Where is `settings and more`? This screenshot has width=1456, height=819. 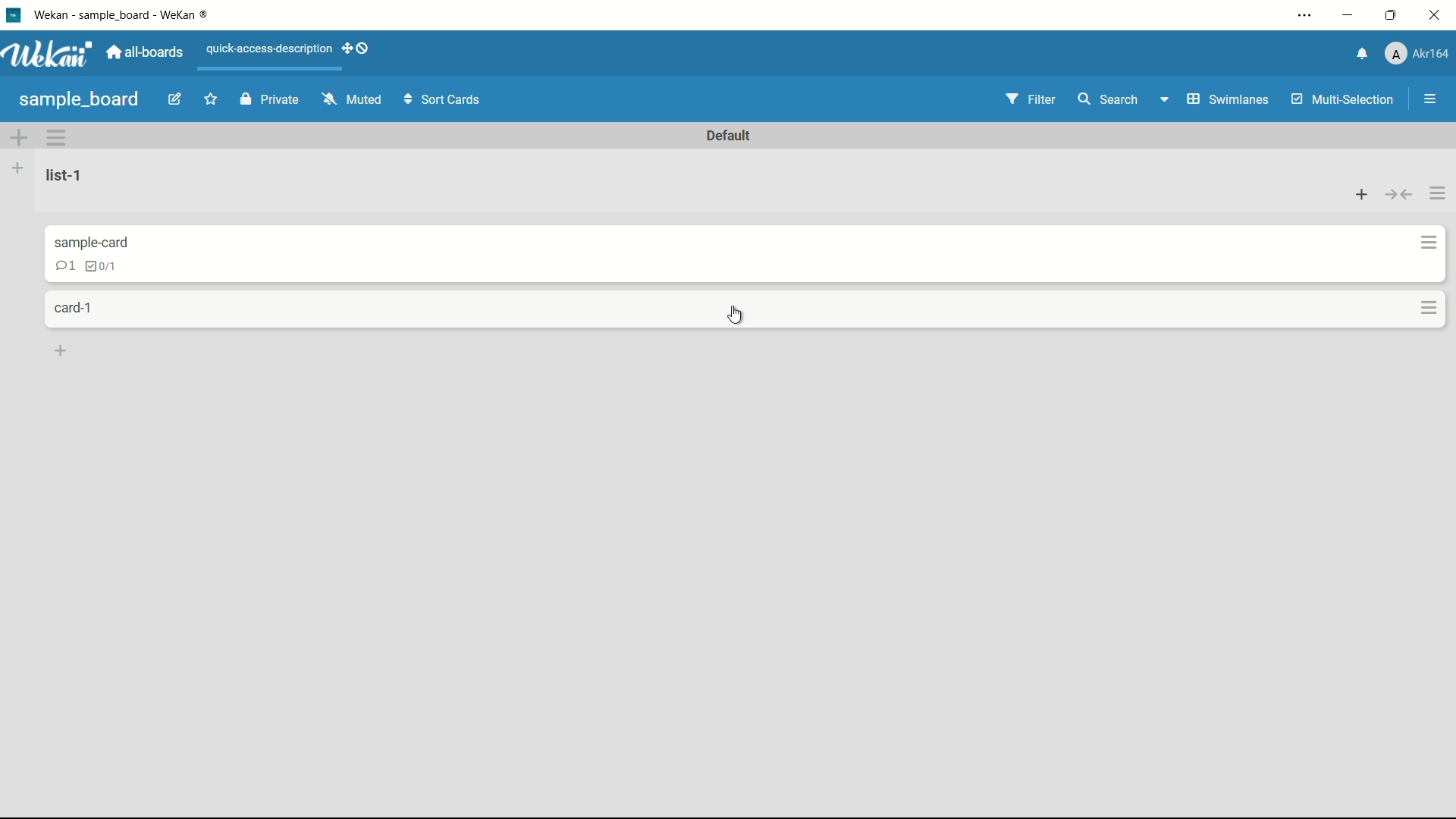
settings and more is located at coordinates (1302, 16).